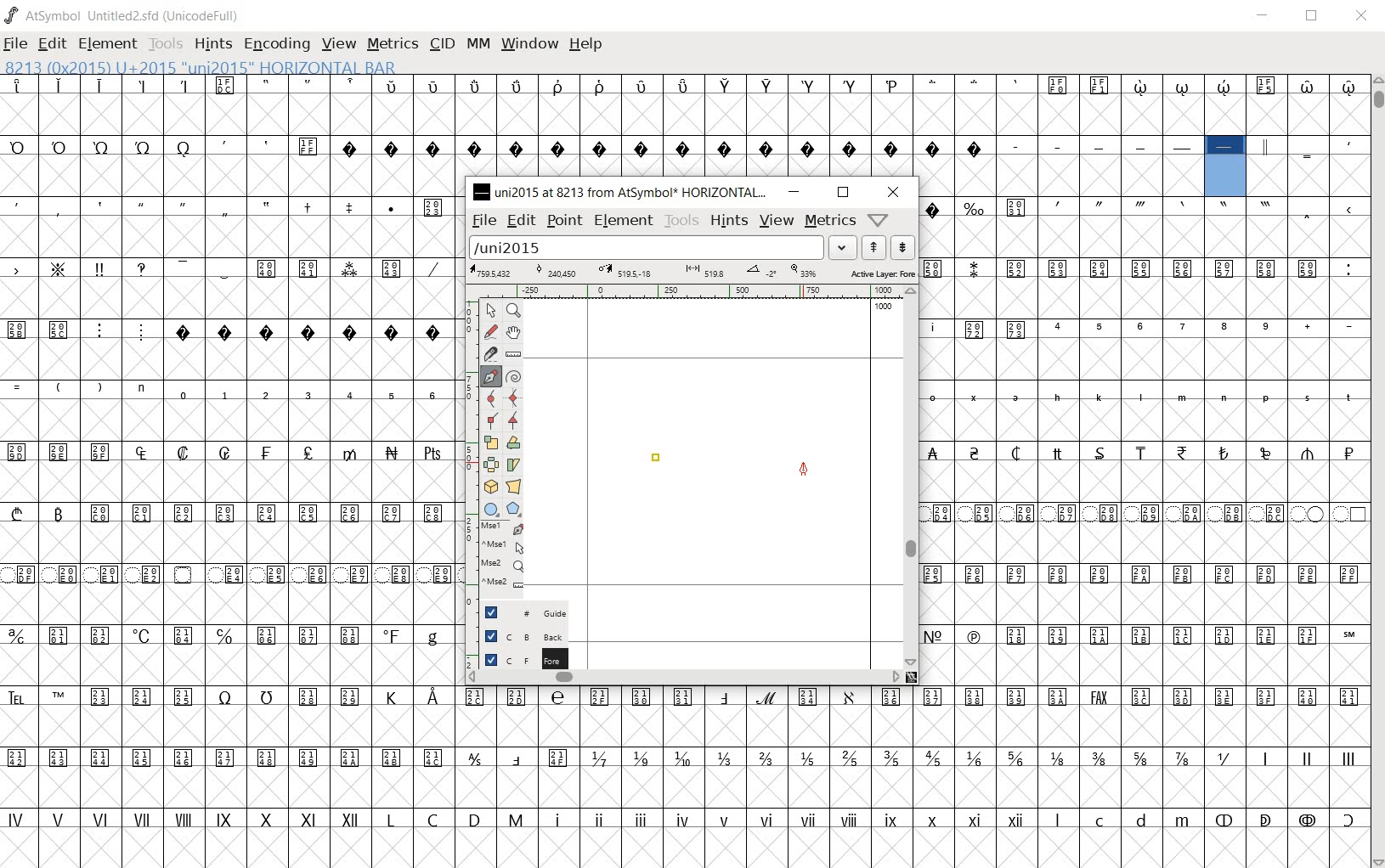 This screenshot has height=868, width=1385. What do you see at coordinates (661, 248) in the screenshot?
I see `load word list` at bounding box center [661, 248].